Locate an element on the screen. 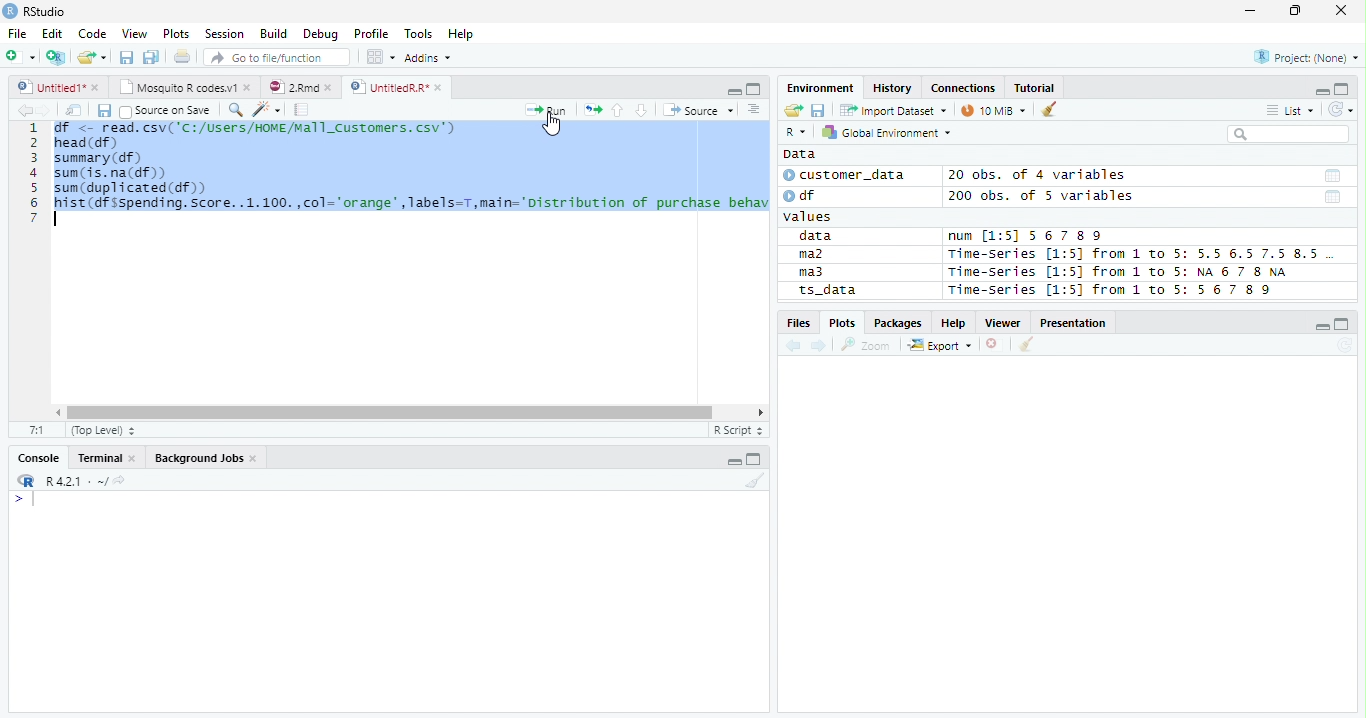 The width and height of the screenshot is (1366, 718). Show in new window is located at coordinates (75, 110).